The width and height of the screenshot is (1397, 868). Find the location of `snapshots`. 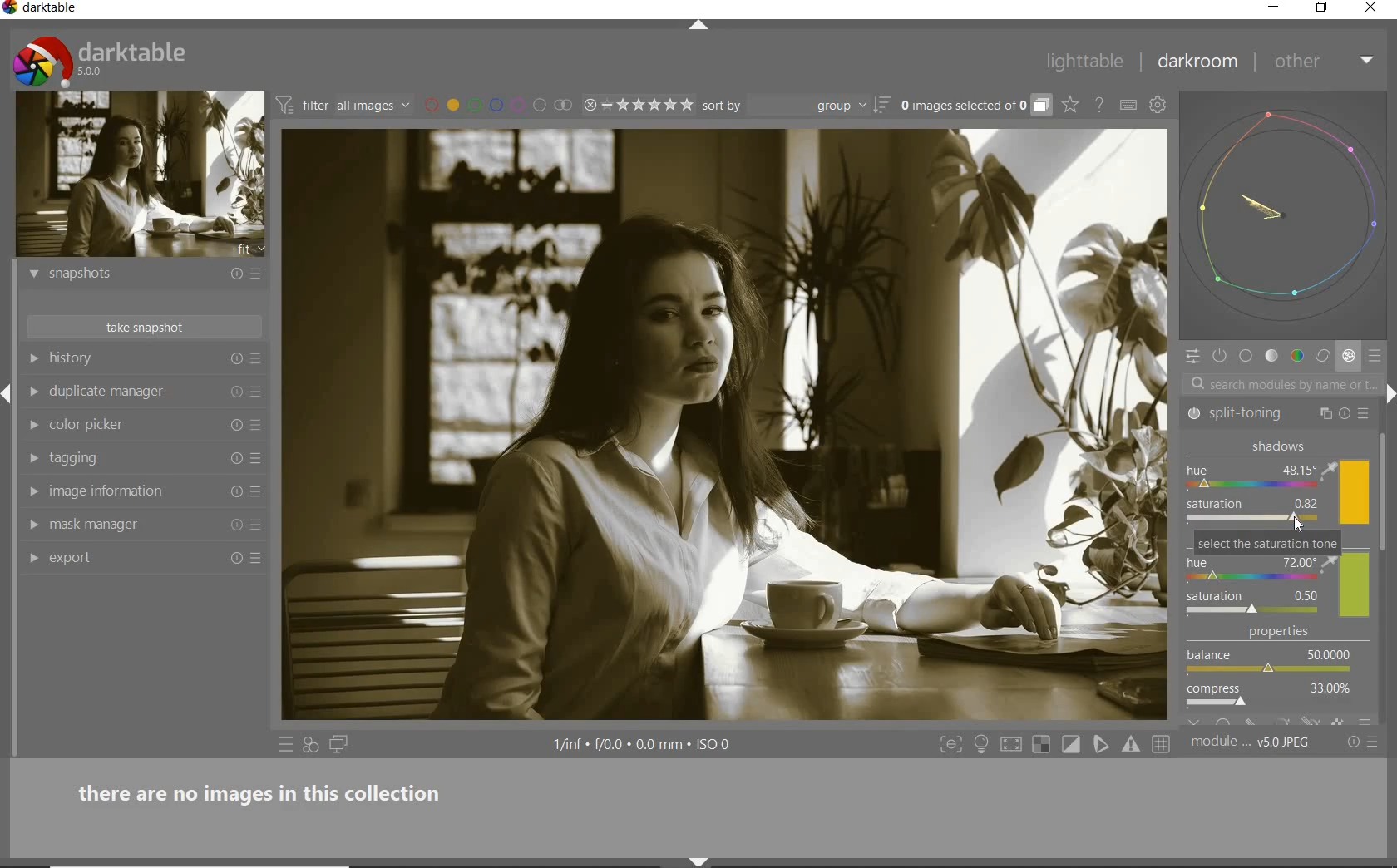

snapshots is located at coordinates (131, 277).